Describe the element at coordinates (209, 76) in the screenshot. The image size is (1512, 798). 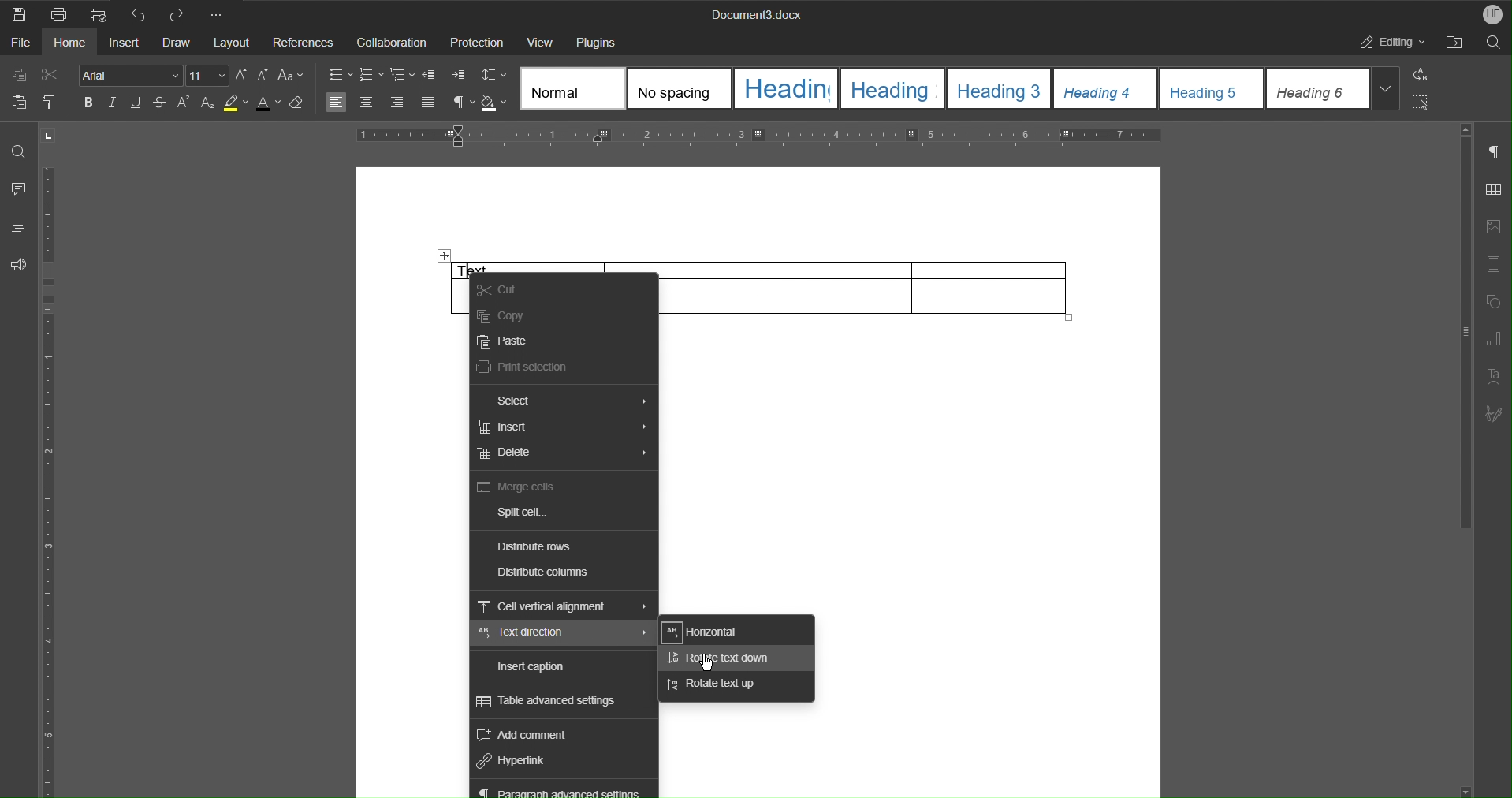
I see `Font size` at that location.